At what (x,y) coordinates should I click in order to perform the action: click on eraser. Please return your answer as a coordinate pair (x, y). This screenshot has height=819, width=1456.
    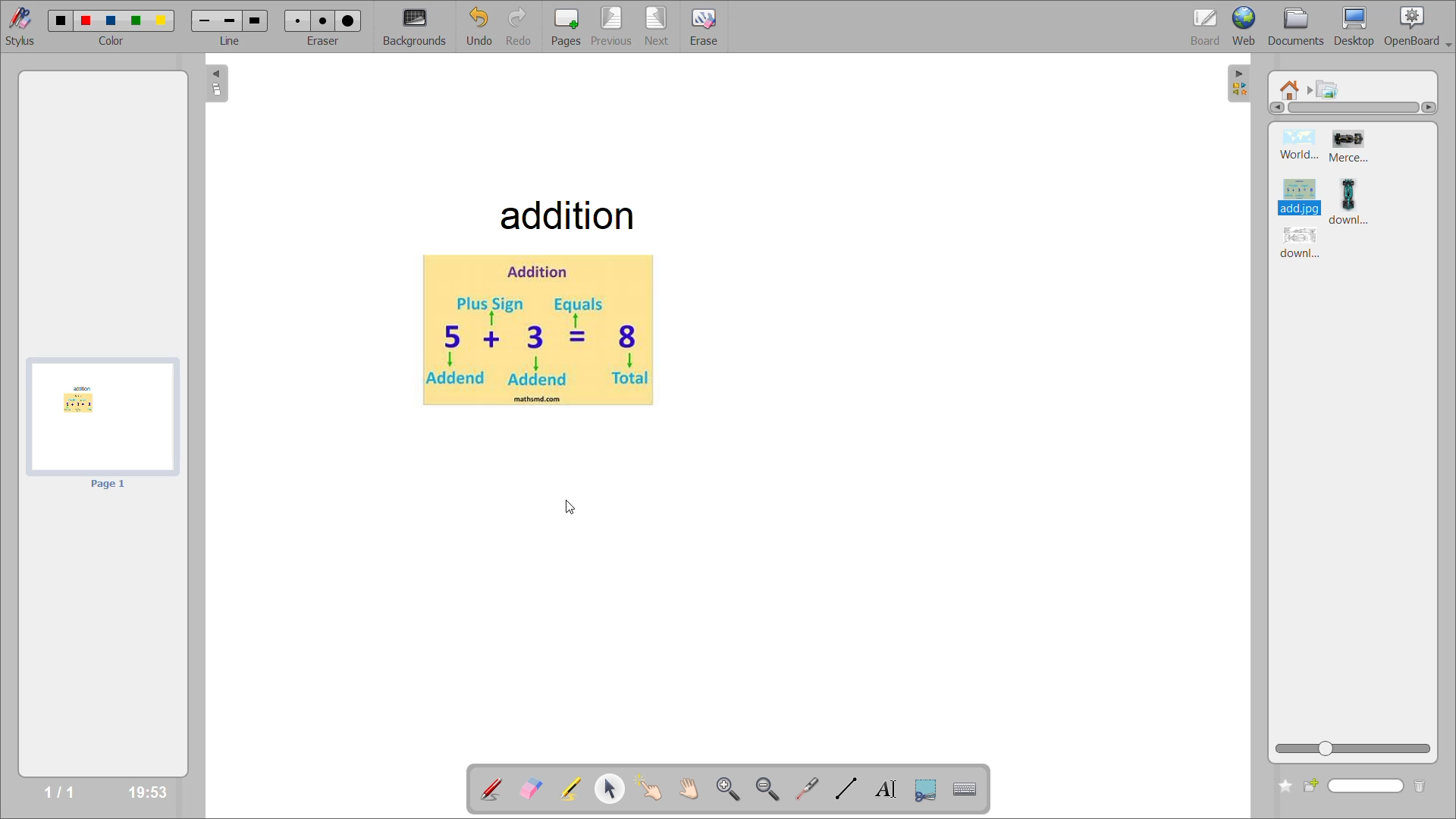
    Looking at the image, I should click on (322, 38).